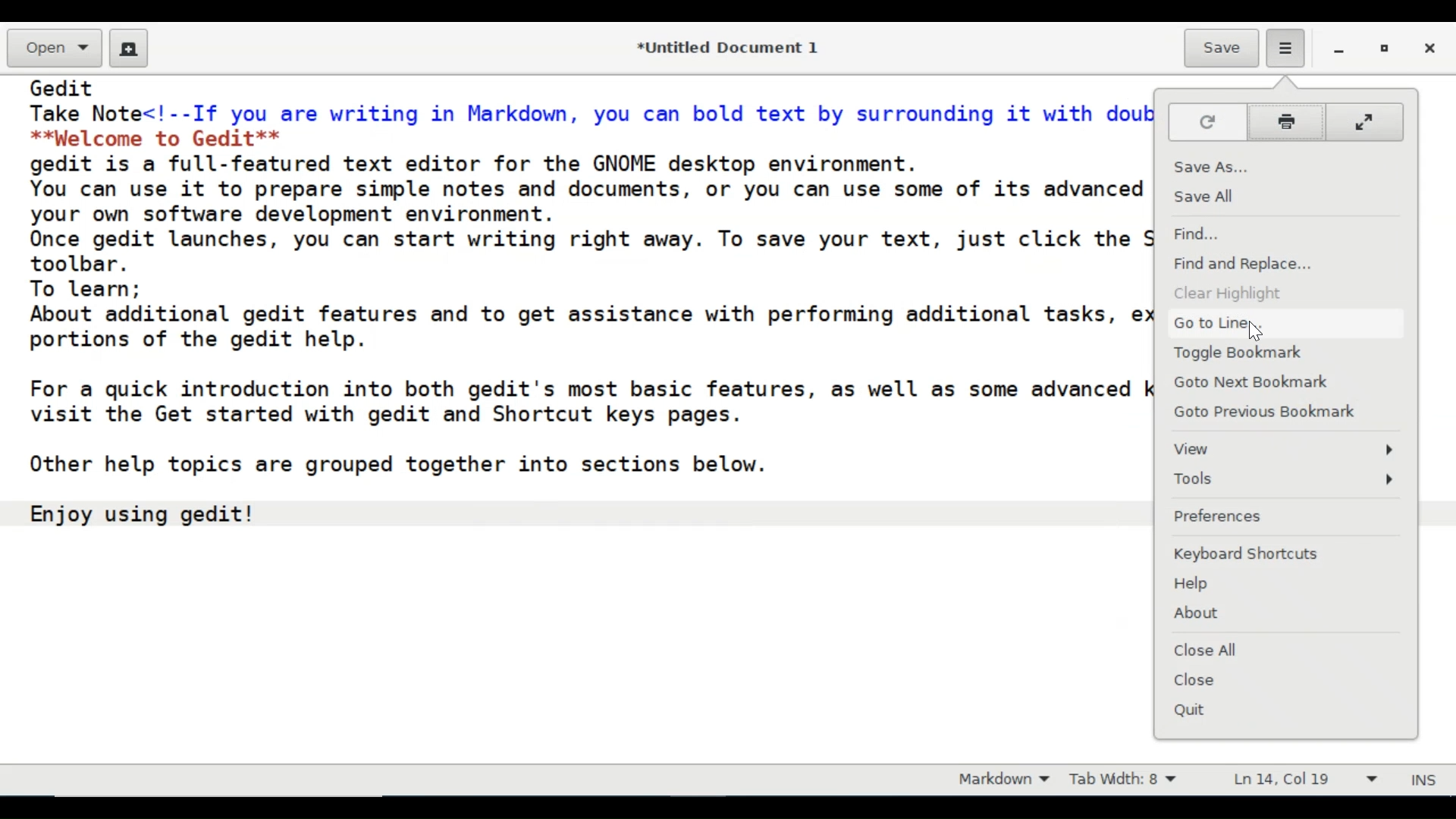  I want to click on To learn;, so click(86, 288).